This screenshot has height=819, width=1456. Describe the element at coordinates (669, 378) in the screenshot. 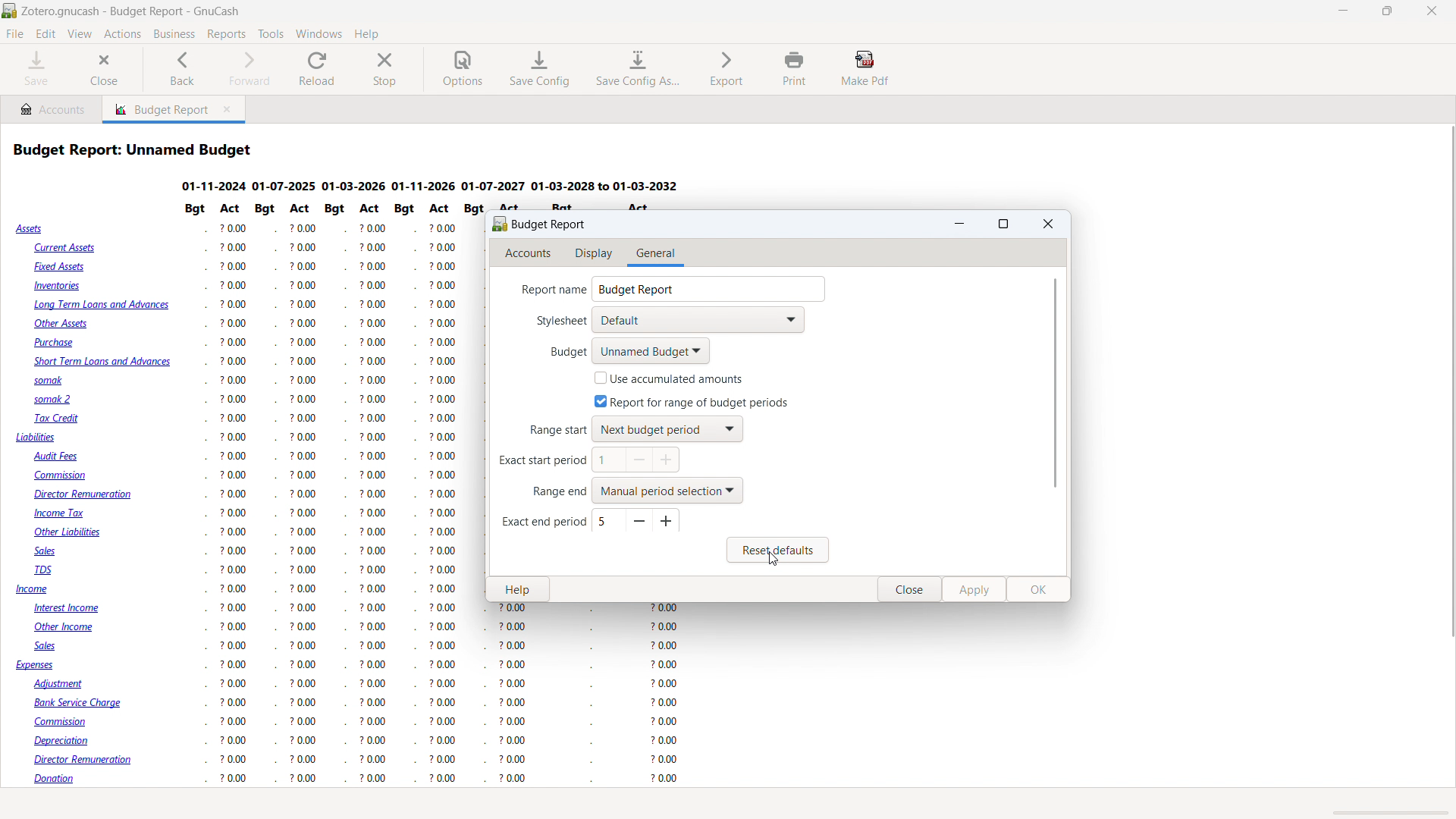

I see `use accumulated amounts` at that location.